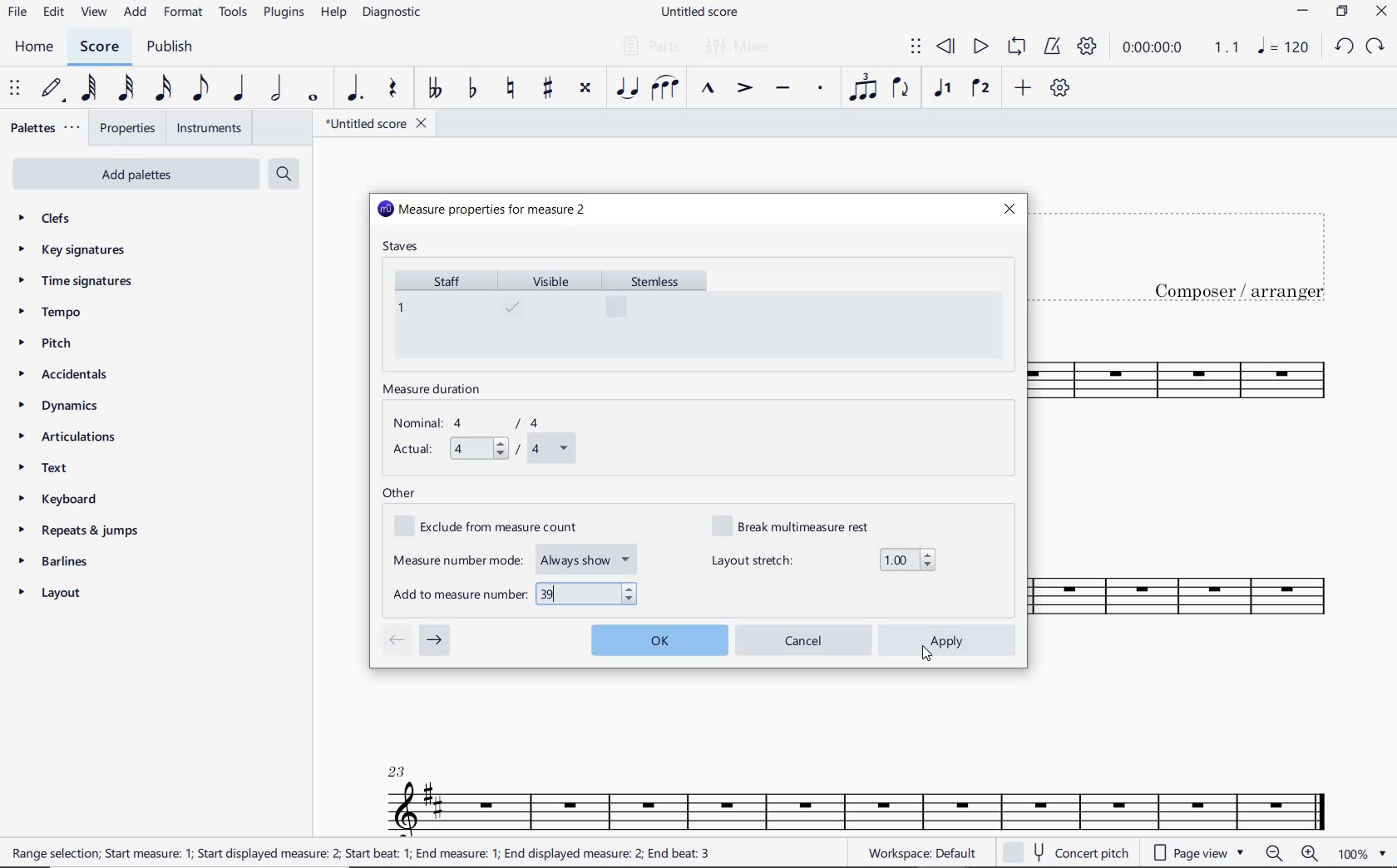 The image size is (1397, 868). I want to click on EDIT, so click(53, 14).